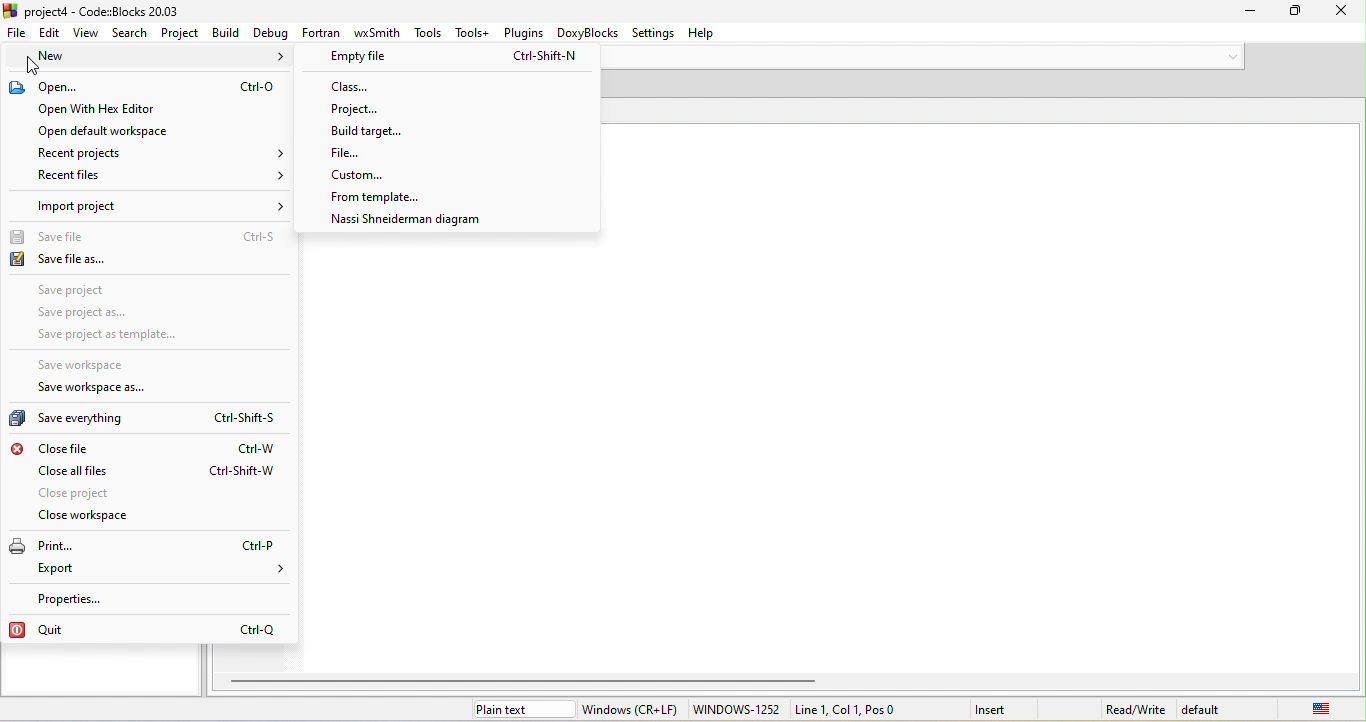 This screenshot has width=1366, height=722. I want to click on united state, so click(1307, 708).